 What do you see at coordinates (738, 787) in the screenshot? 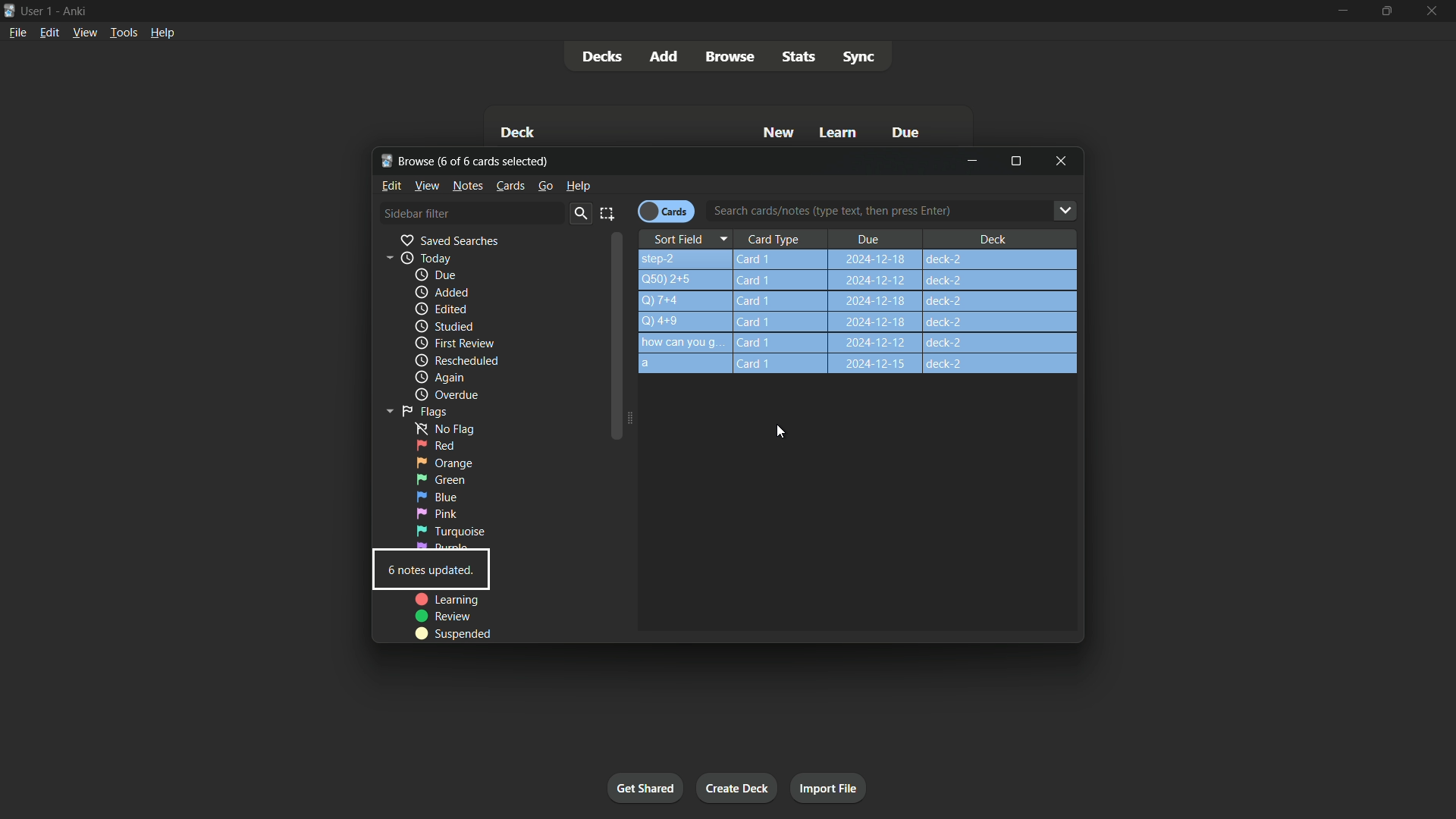
I see `Create deck` at bounding box center [738, 787].